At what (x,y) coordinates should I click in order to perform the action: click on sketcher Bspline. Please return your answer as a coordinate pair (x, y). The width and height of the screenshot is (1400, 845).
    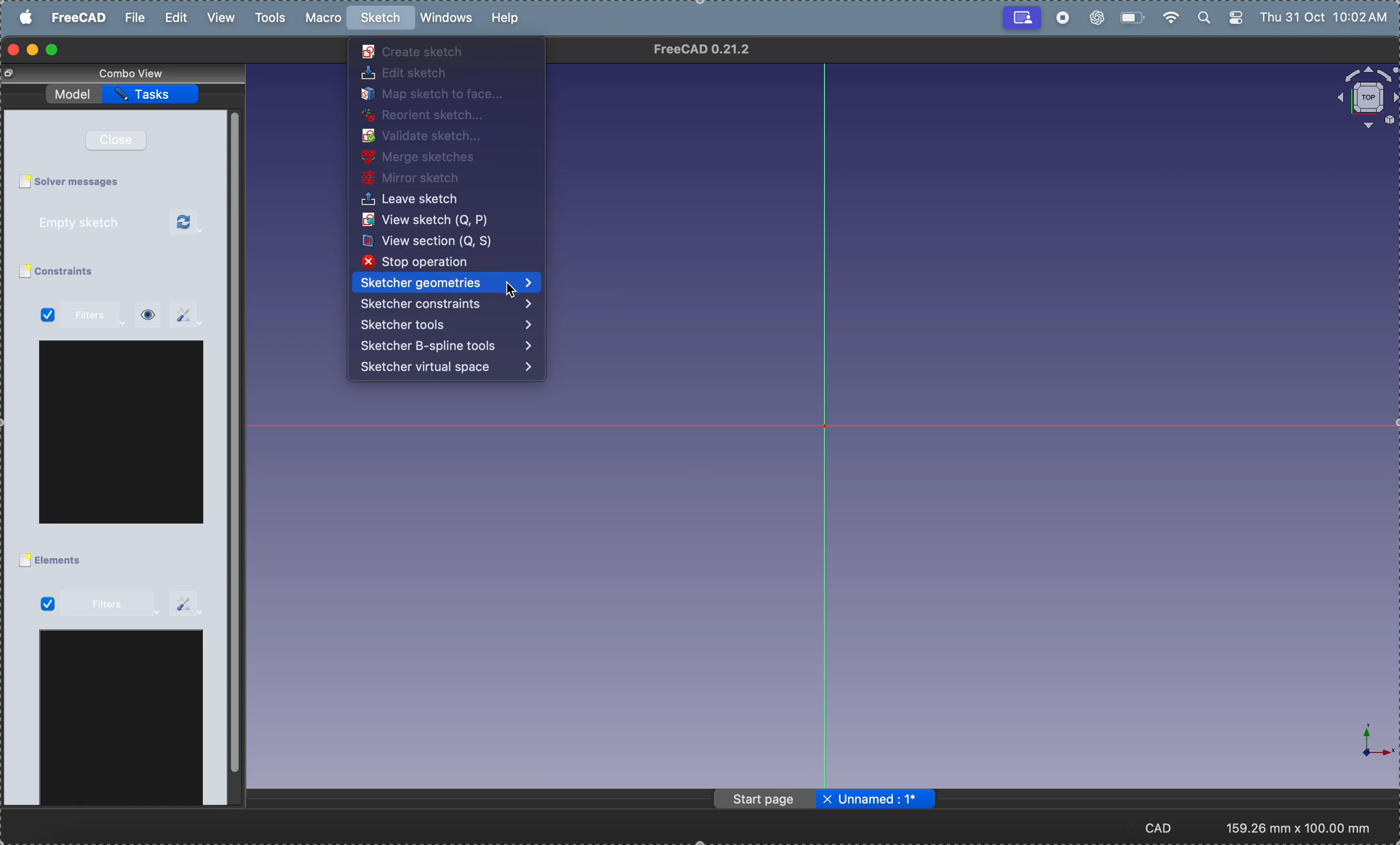
    Looking at the image, I should click on (446, 345).